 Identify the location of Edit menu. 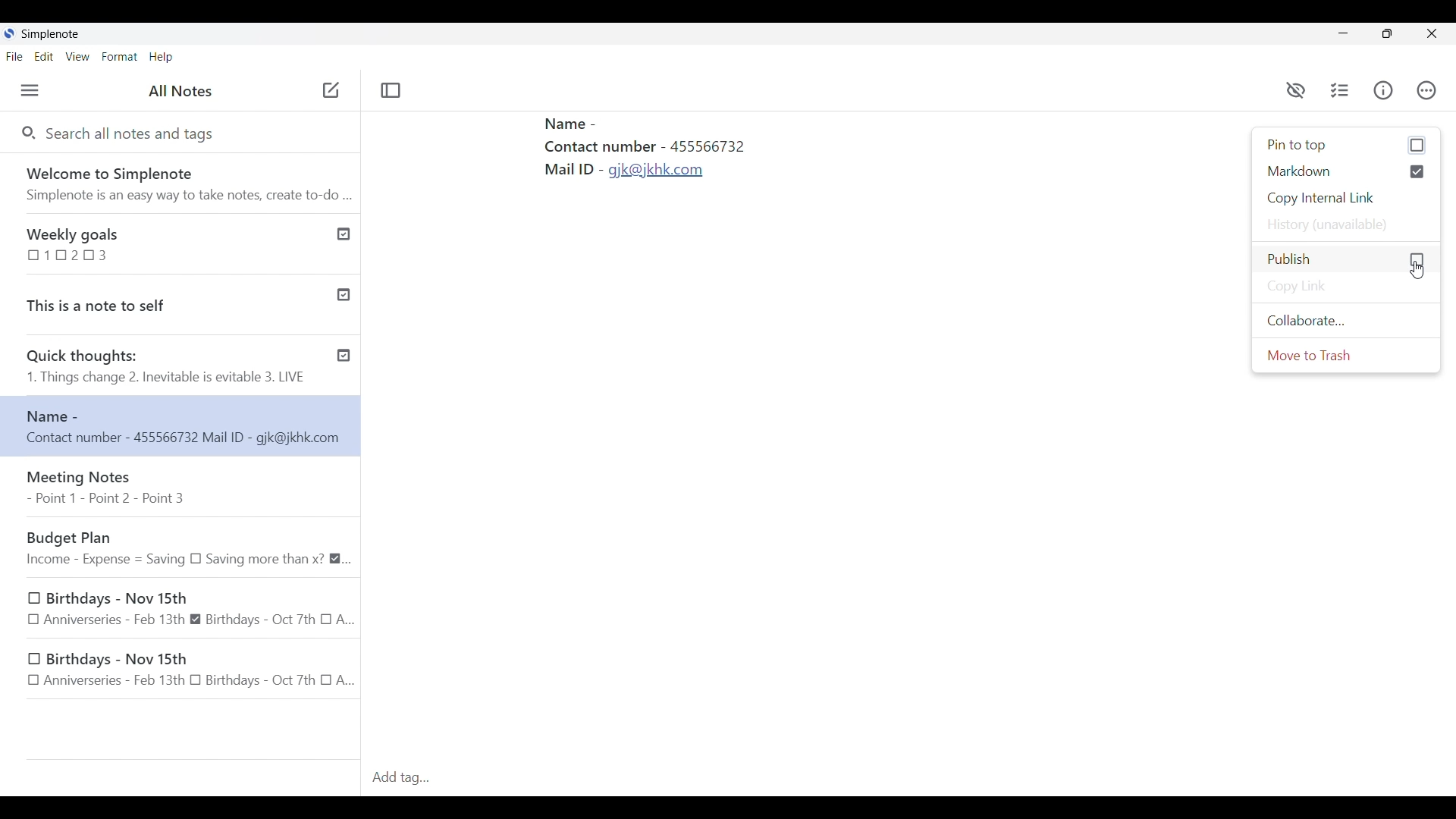
(44, 56).